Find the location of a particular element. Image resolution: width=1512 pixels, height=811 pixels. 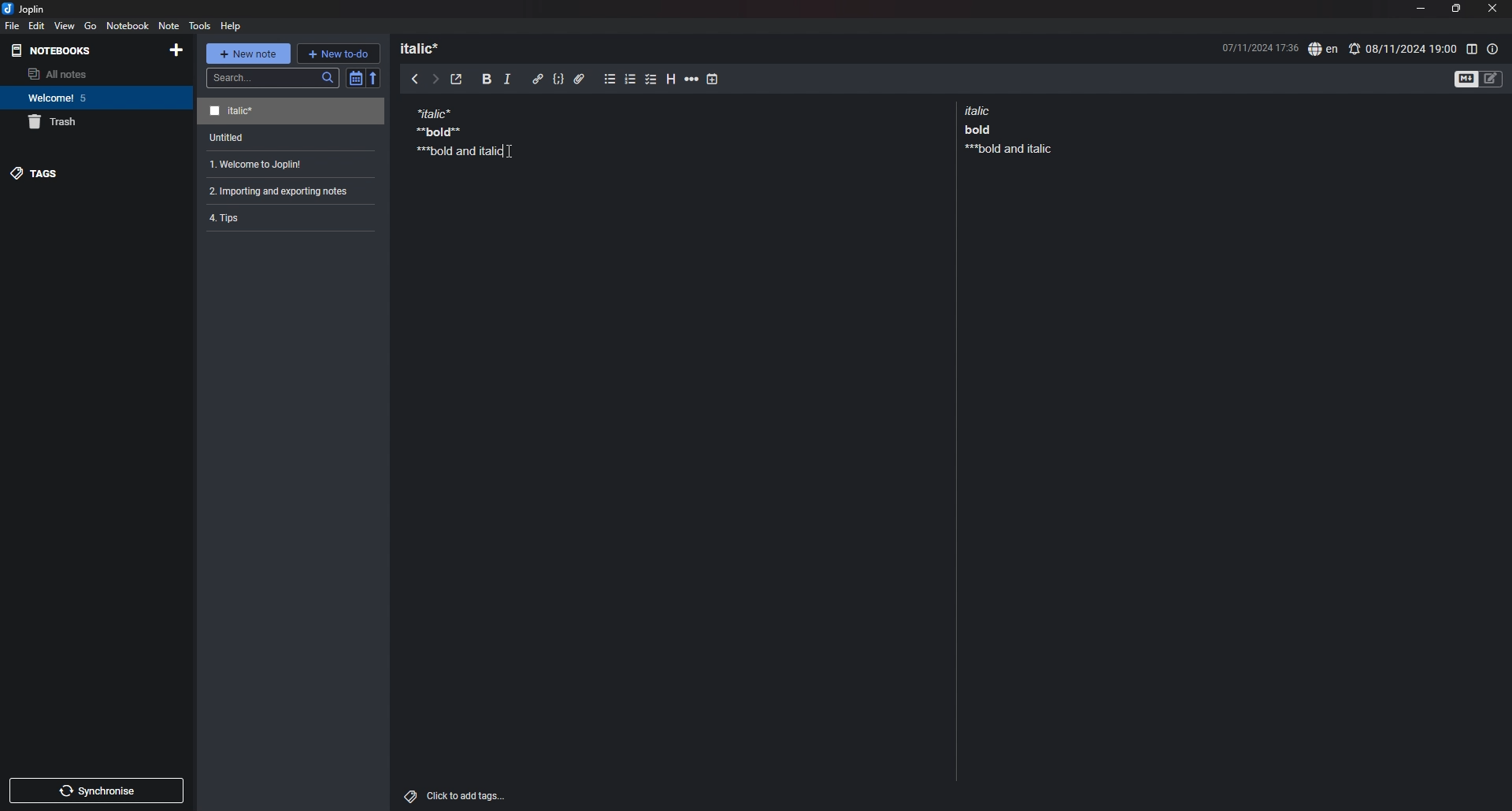

note is located at coordinates (285, 217).